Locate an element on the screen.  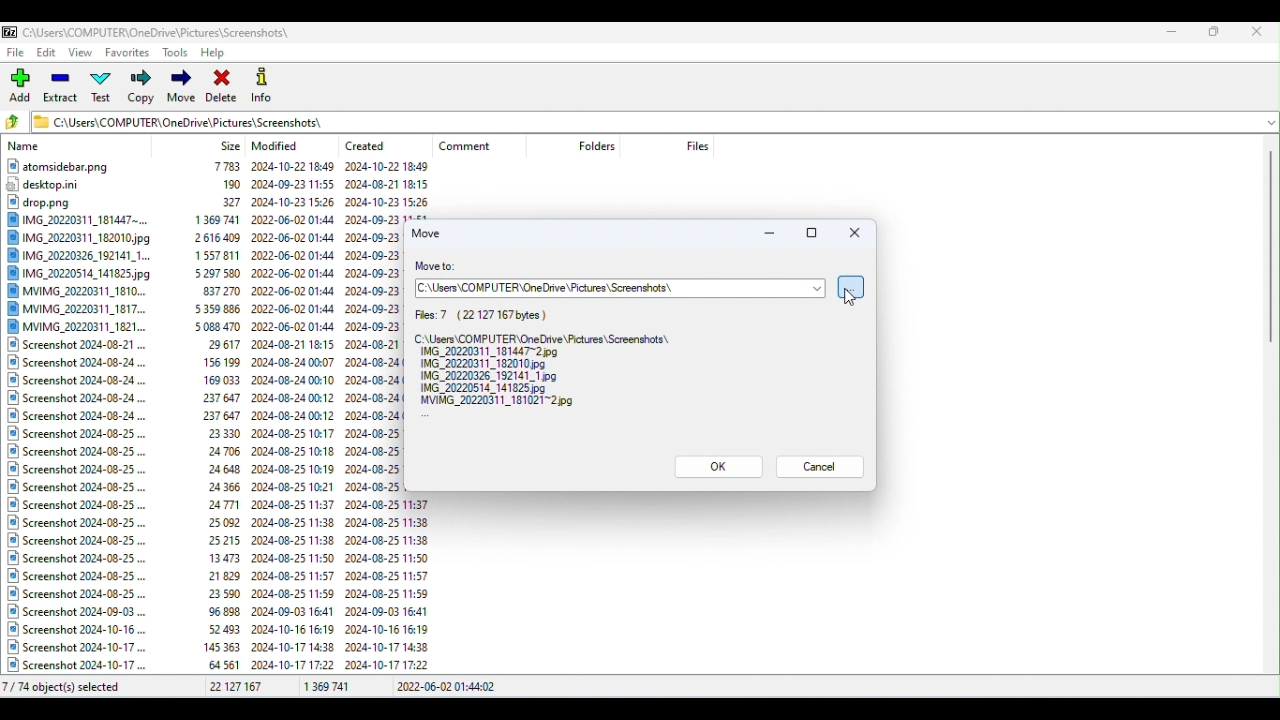
Browse for folder is located at coordinates (852, 287).